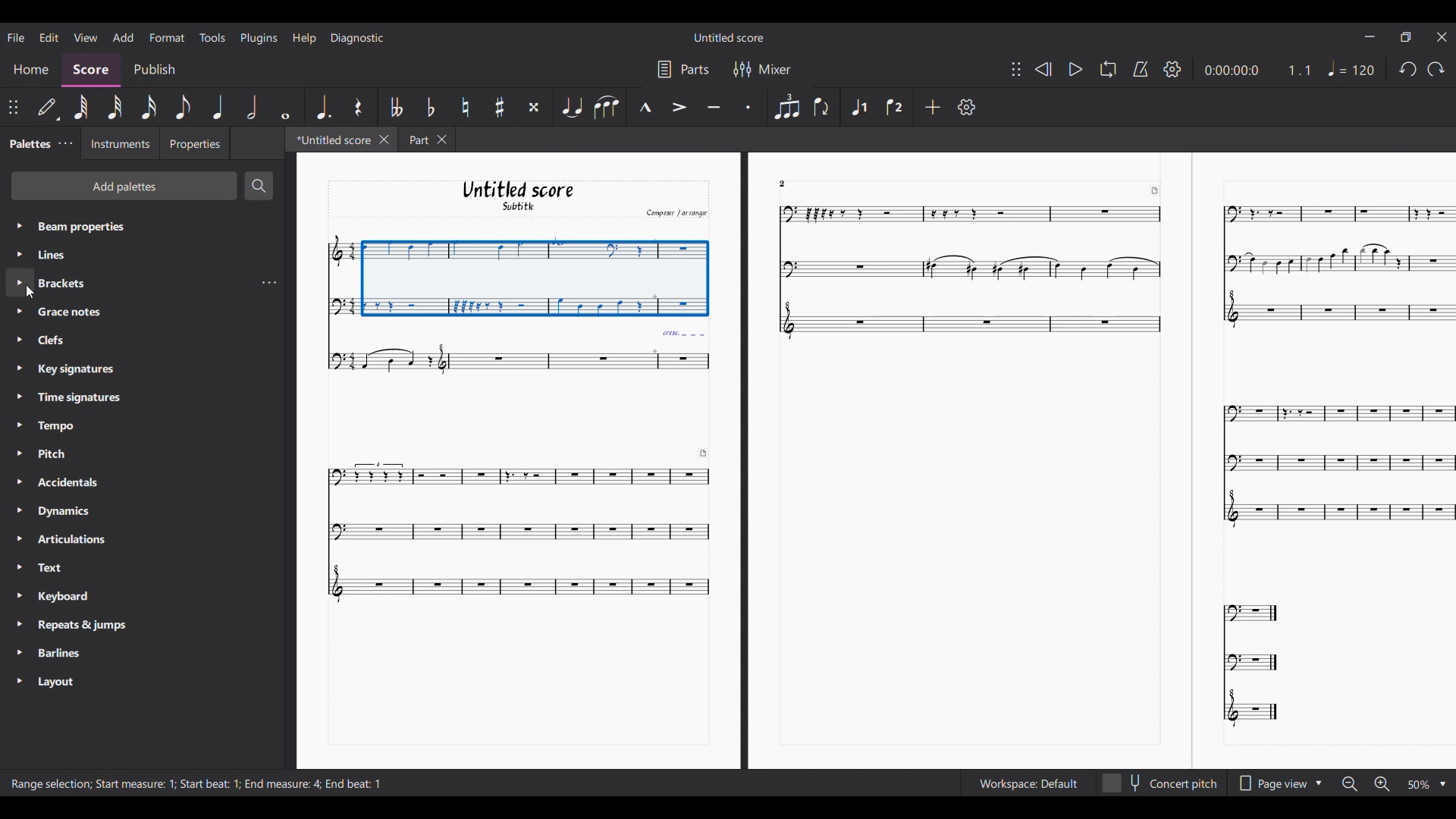  What do you see at coordinates (15, 682) in the screenshot?
I see `` at bounding box center [15, 682].